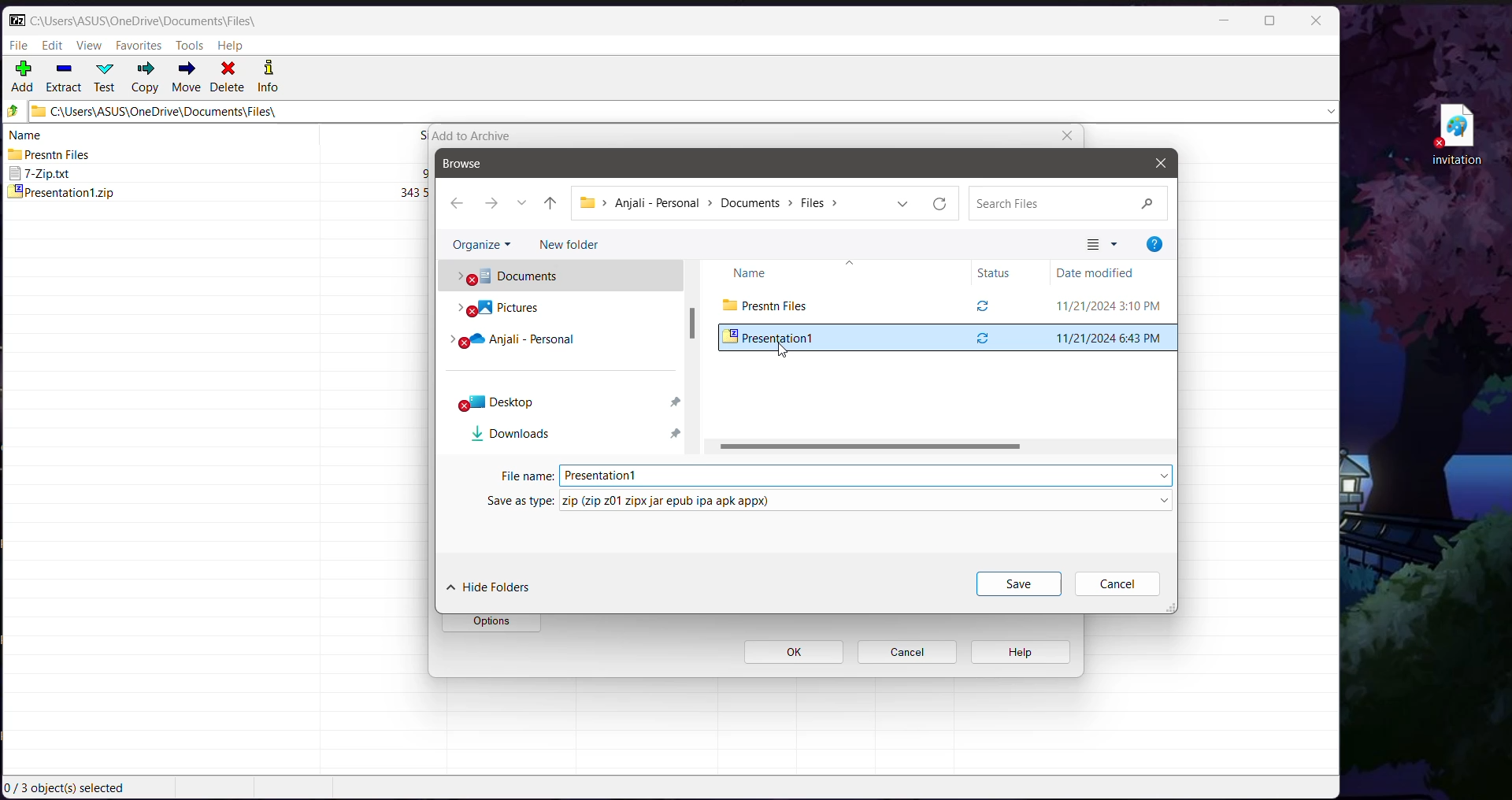 Image resolution: width=1512 pixels, height=800 pixels. I want to click on Move, so click(185, 77).